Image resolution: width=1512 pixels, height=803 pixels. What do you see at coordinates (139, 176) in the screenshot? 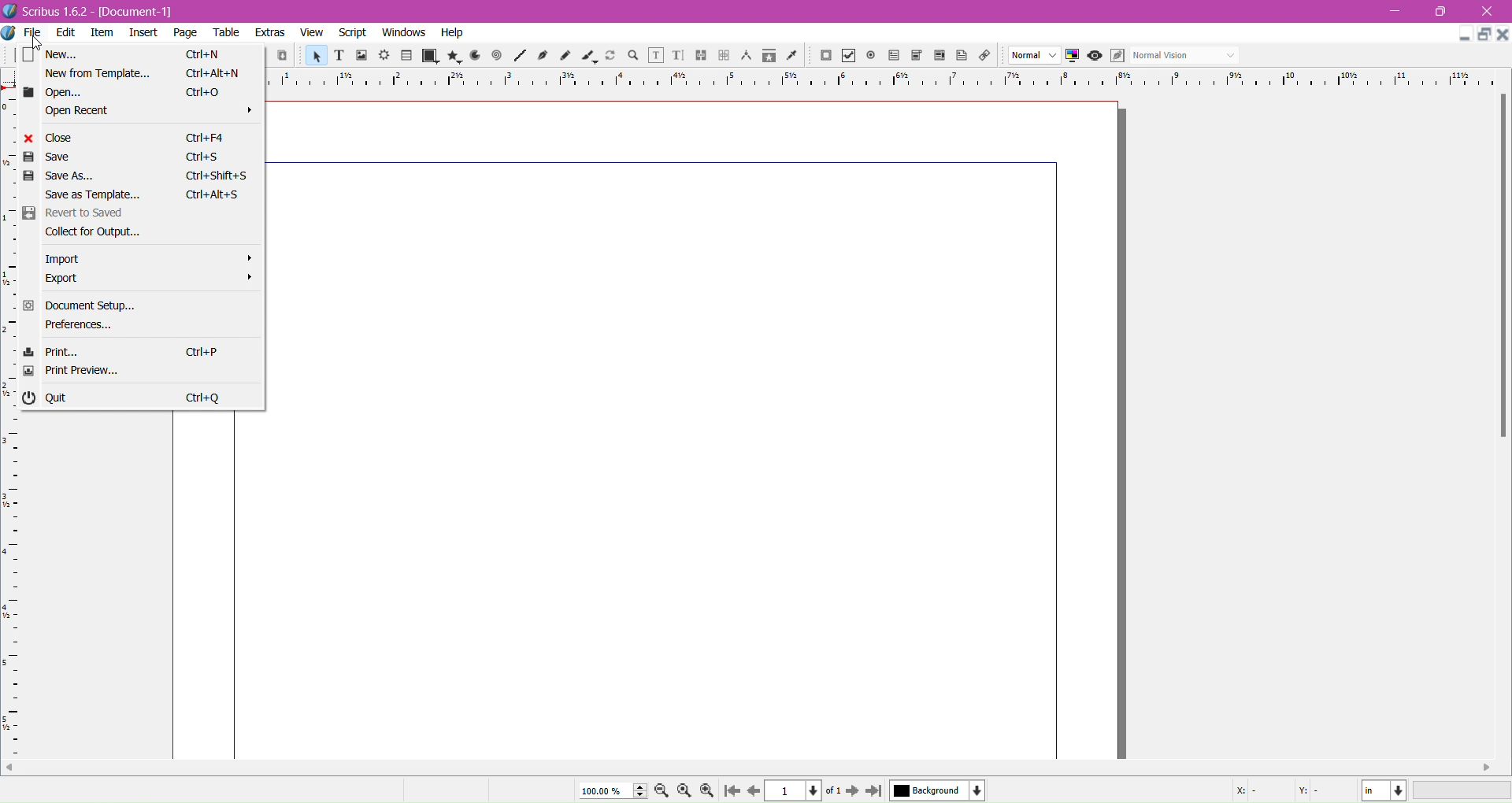
I see `Save As` at bounding box center [139, 176].